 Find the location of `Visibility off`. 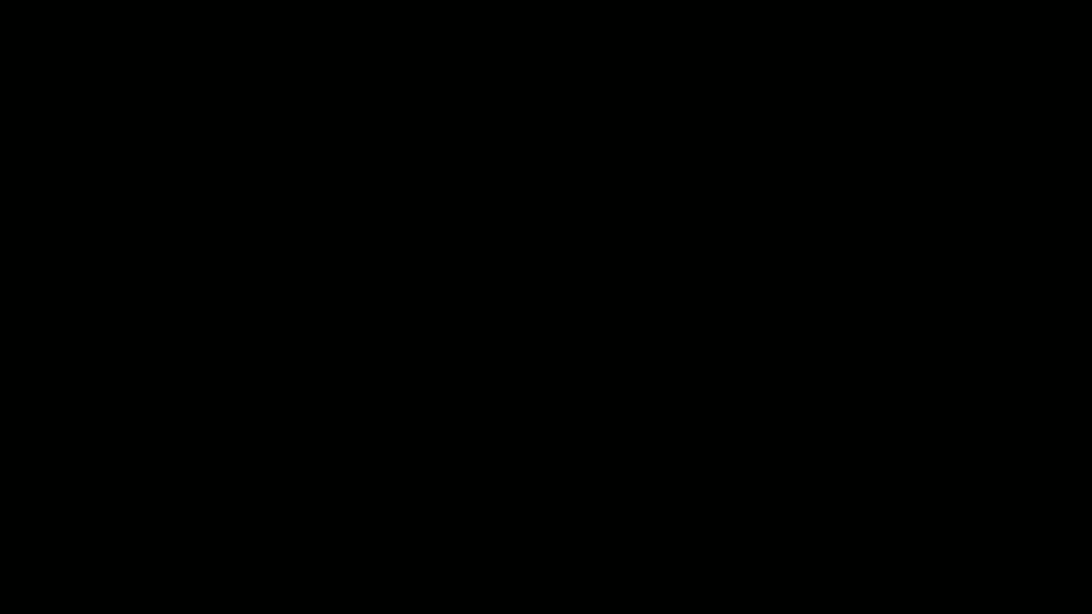

Visibility off is located at coordinates (546, 307).